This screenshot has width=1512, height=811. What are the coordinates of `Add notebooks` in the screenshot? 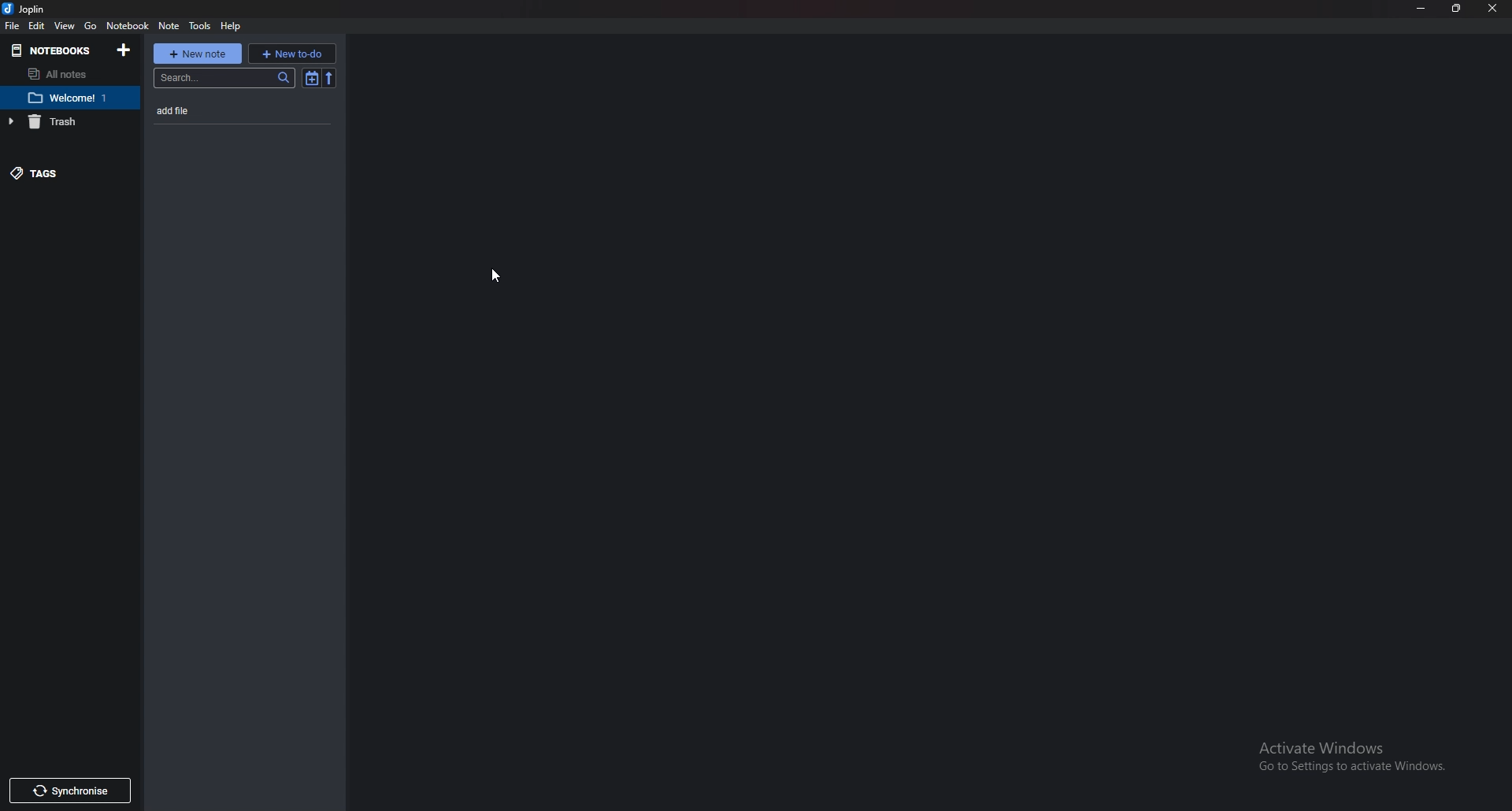 It's located at (127, 49).